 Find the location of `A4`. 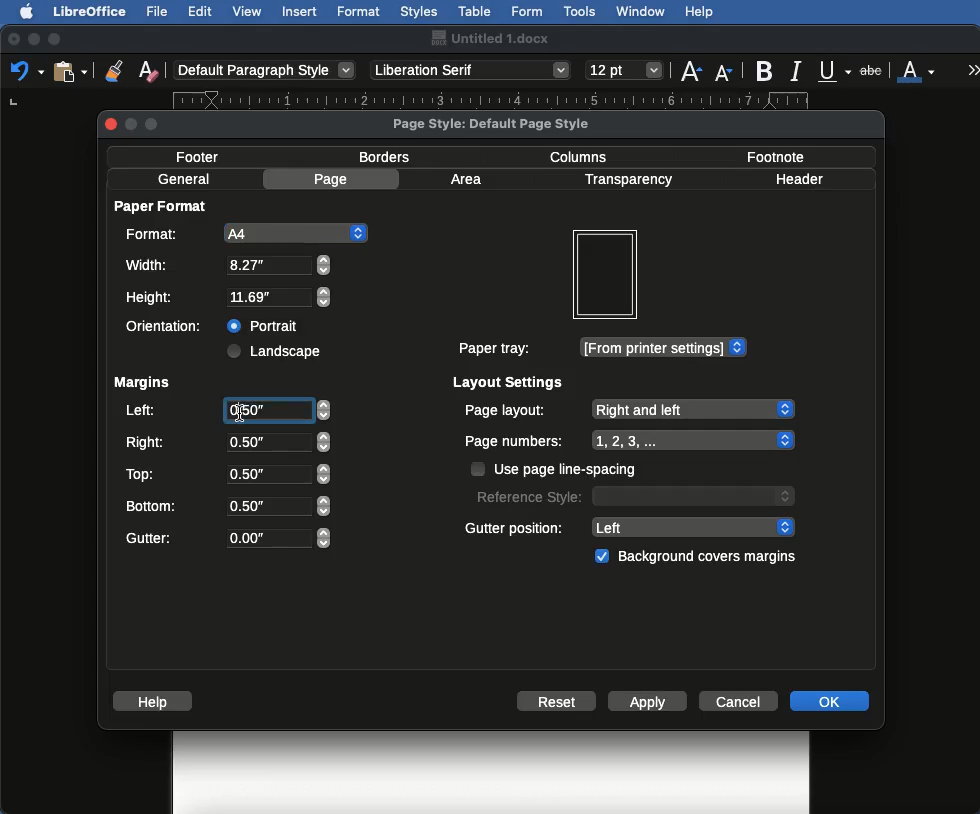

A4 is located at coordinates (243, 233).